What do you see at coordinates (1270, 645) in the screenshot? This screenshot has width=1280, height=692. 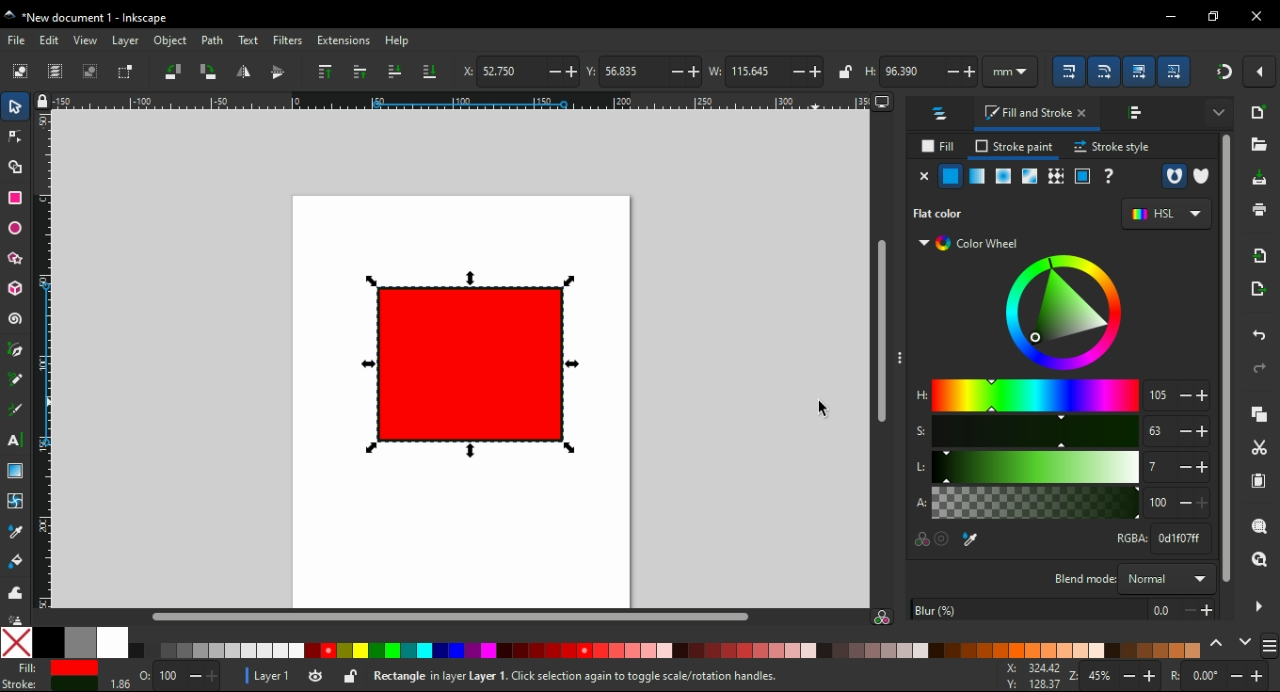 I see `menu` at bounding box center [1270, 645].